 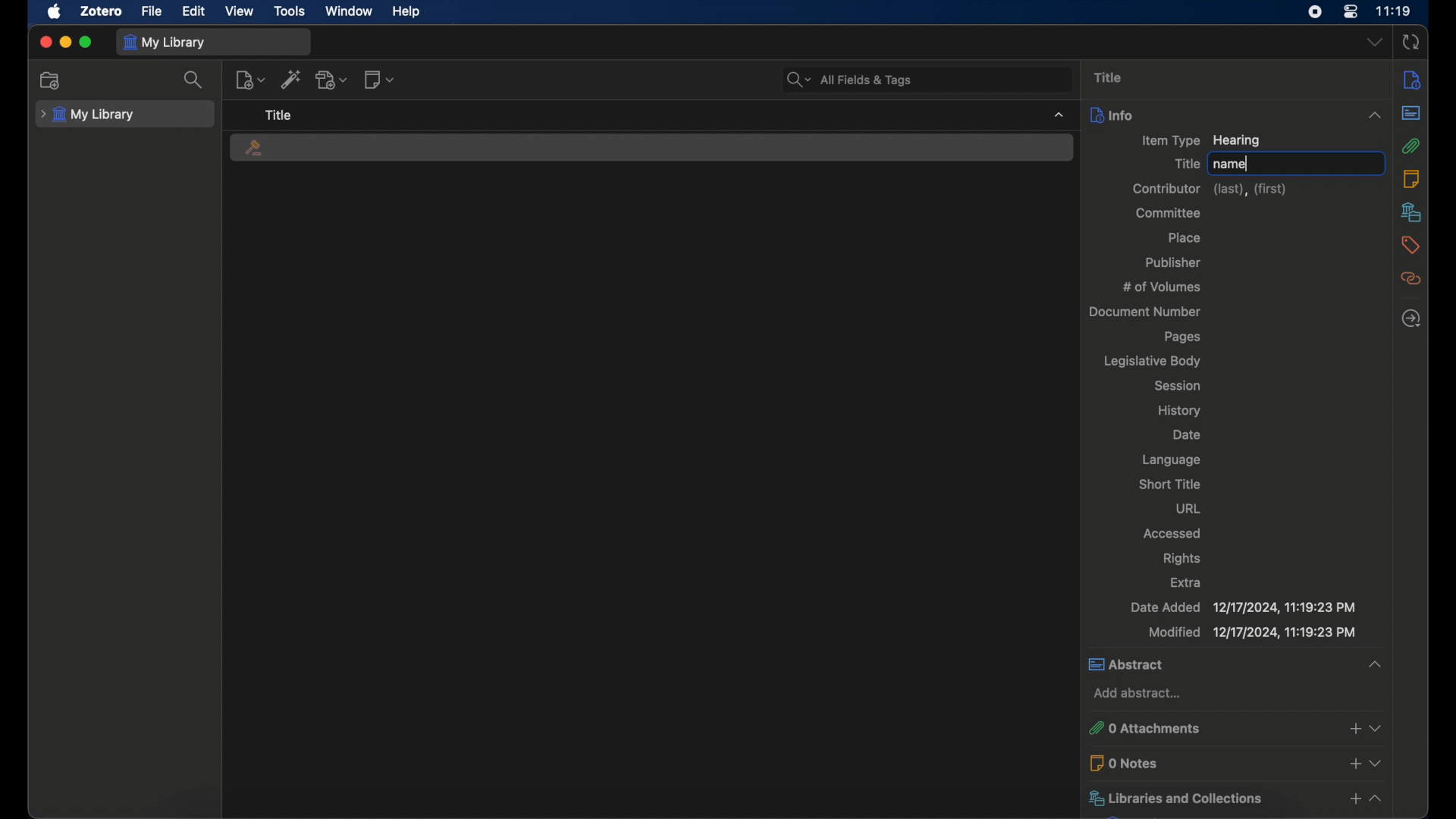 I want to click on extra, so click(x=1187, y=583).